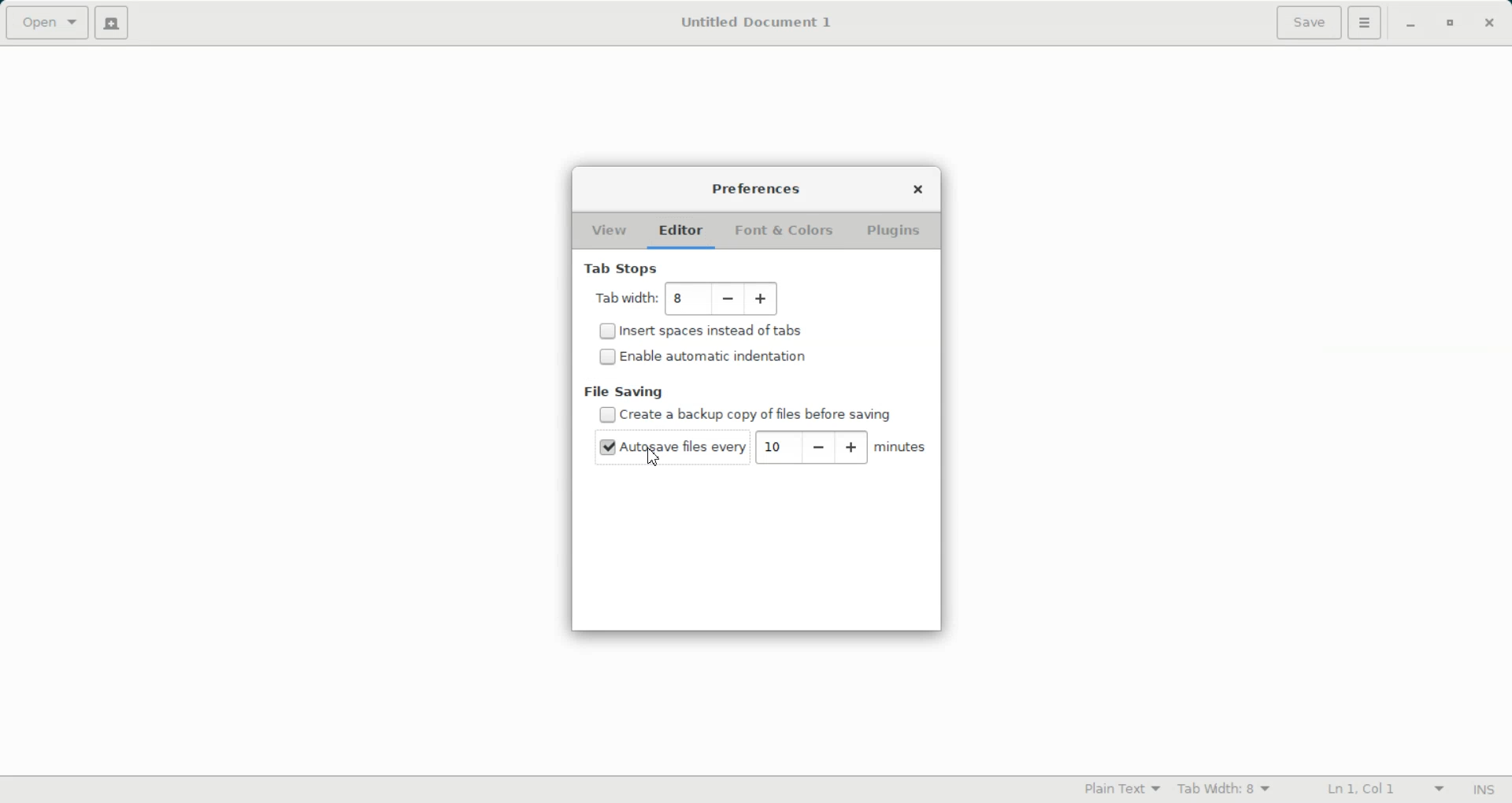 Image resolution: width=1512 pixels, height=803 pixels. I want to click on Increase, so click(761, 300).